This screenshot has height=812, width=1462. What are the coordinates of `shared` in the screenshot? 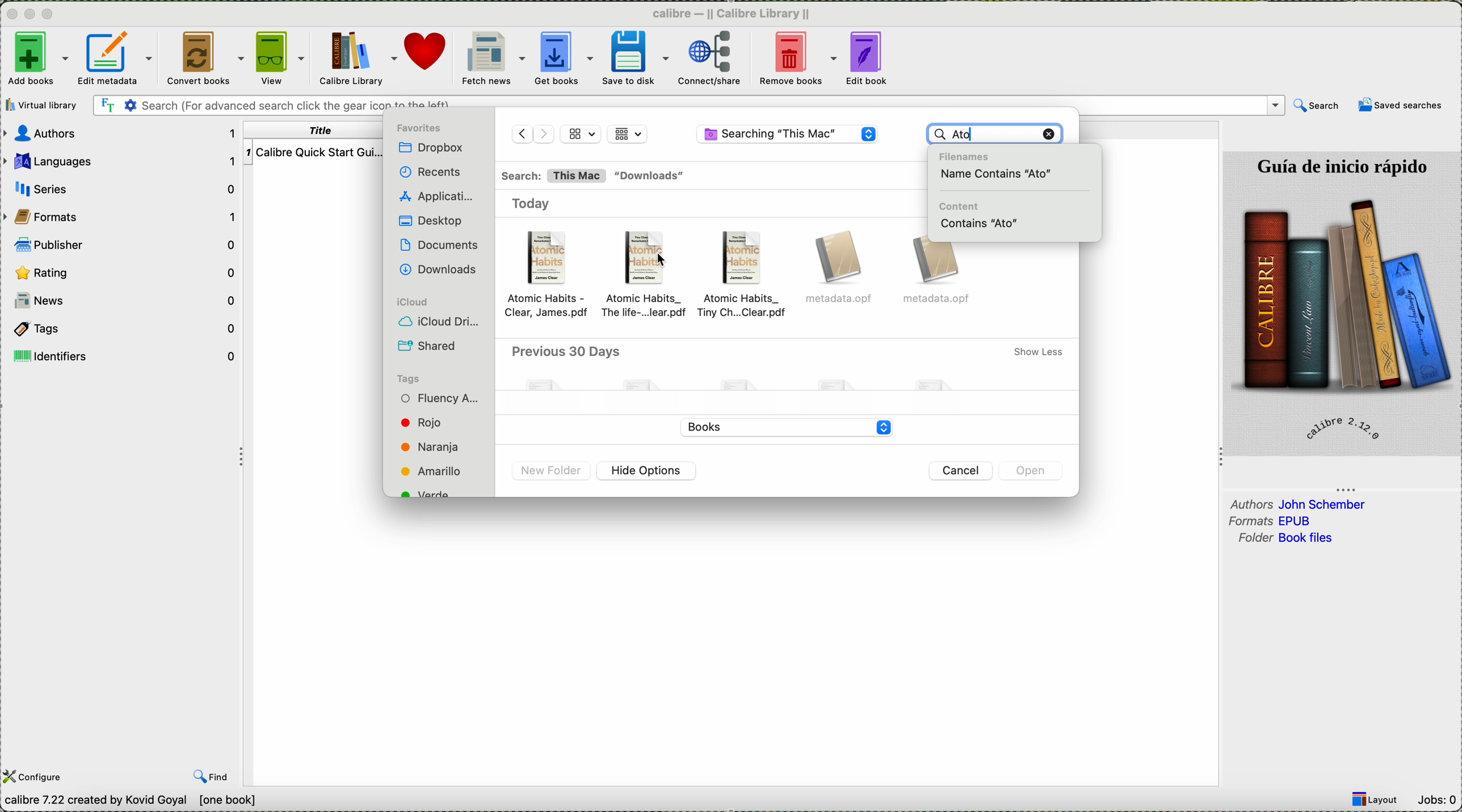 It's located at (431, 346).